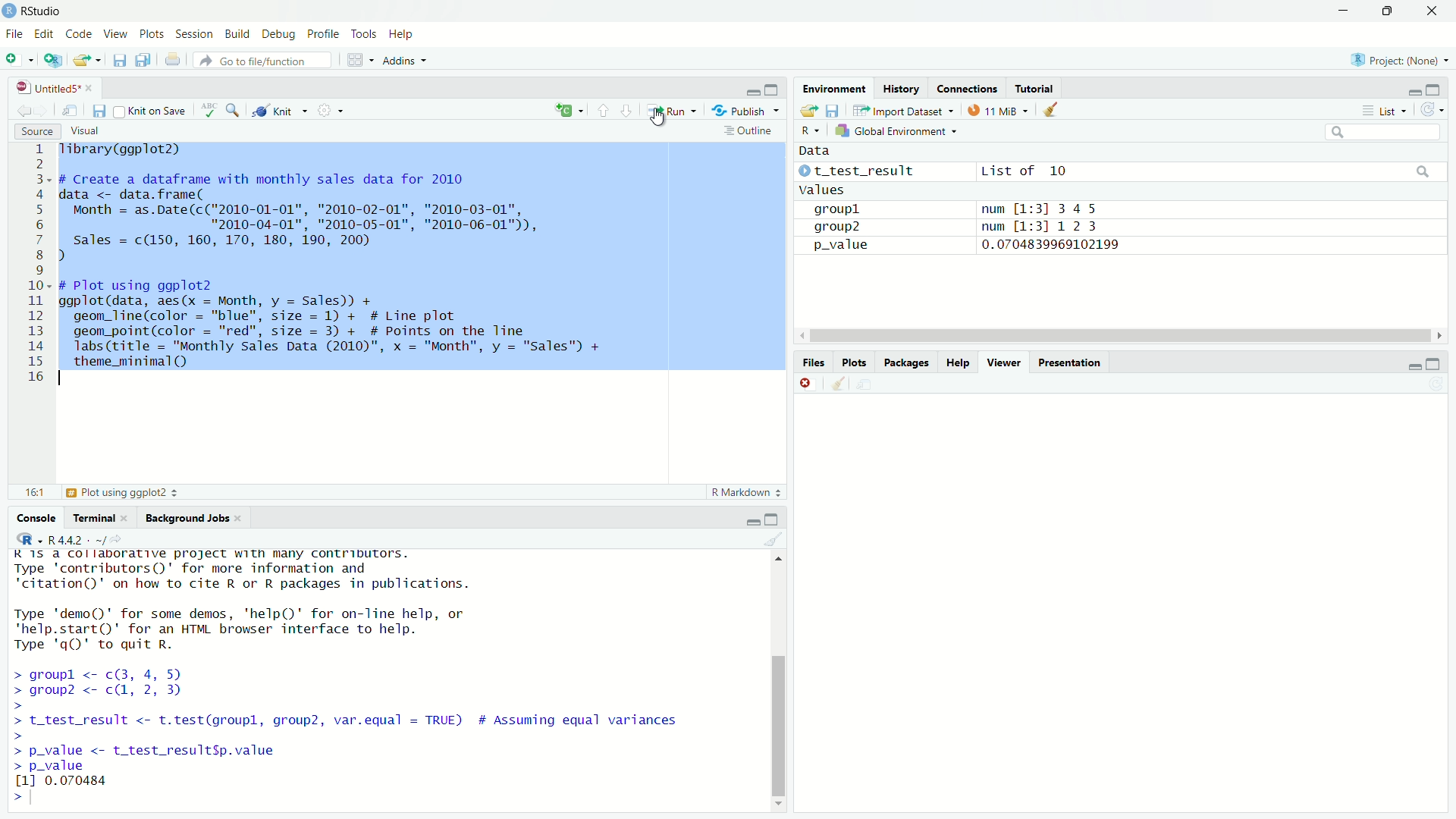 Image resolution: width=1456 pixels, height=819 pixels. What do you see at coordinates (331, 111) in the screenshot?
I see `settings` at bounding box center [331, 111].